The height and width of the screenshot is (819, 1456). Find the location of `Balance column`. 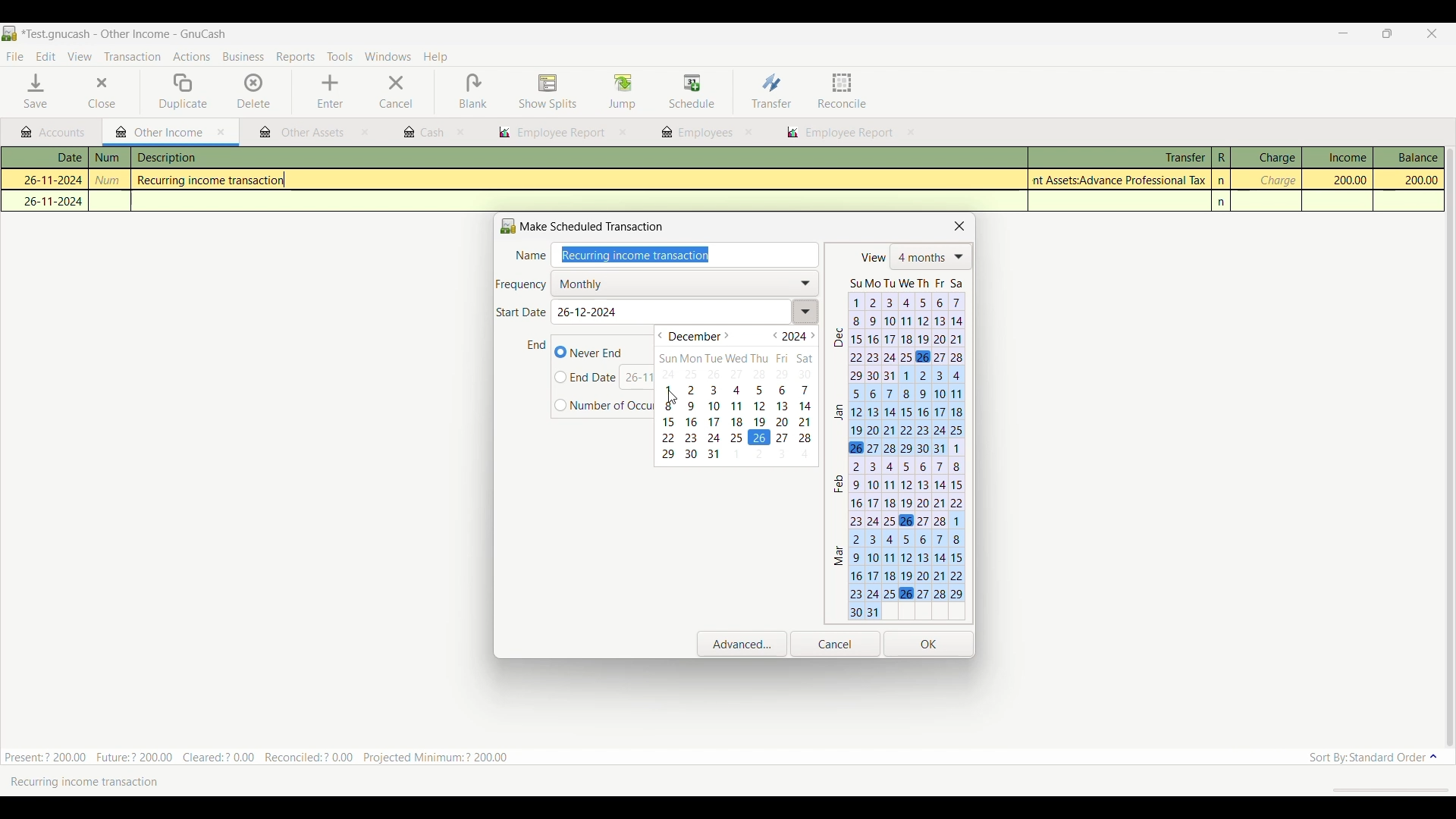

Balance column is located at coordinates (1409, 157).